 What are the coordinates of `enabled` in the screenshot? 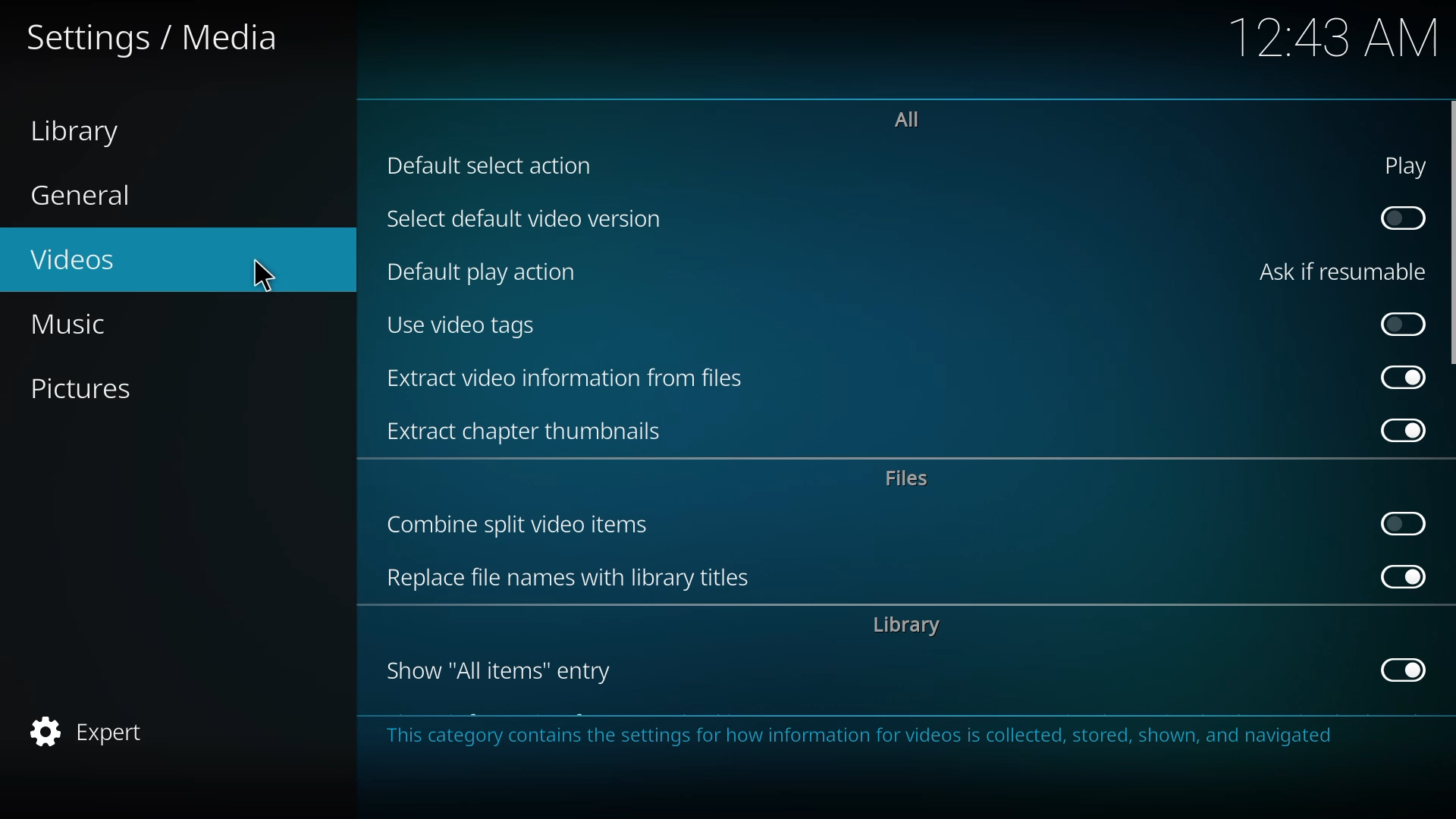 It's located at (1403, 576).